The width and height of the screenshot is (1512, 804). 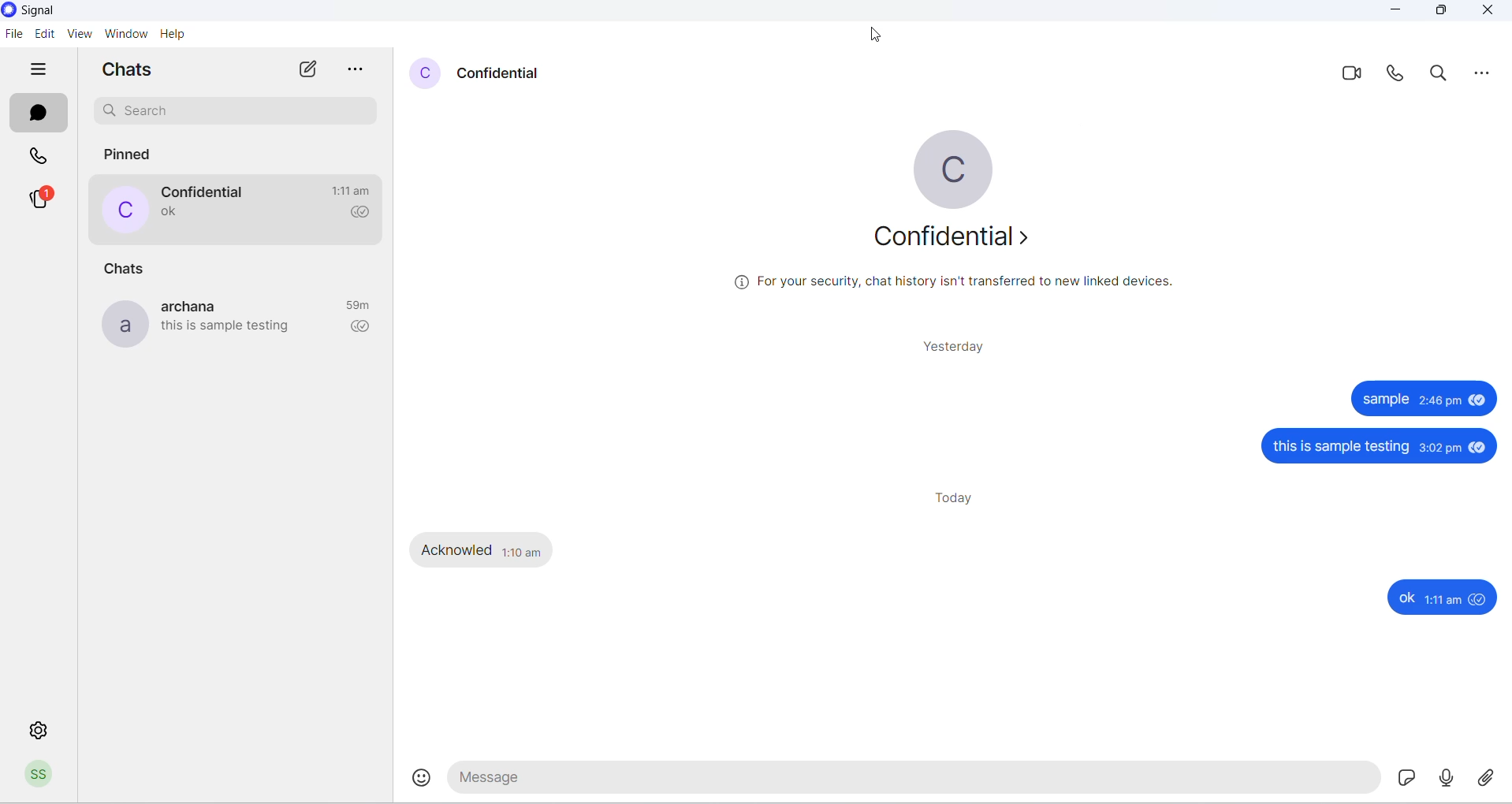 I want to click on security related text, so click(x=968, y=288).